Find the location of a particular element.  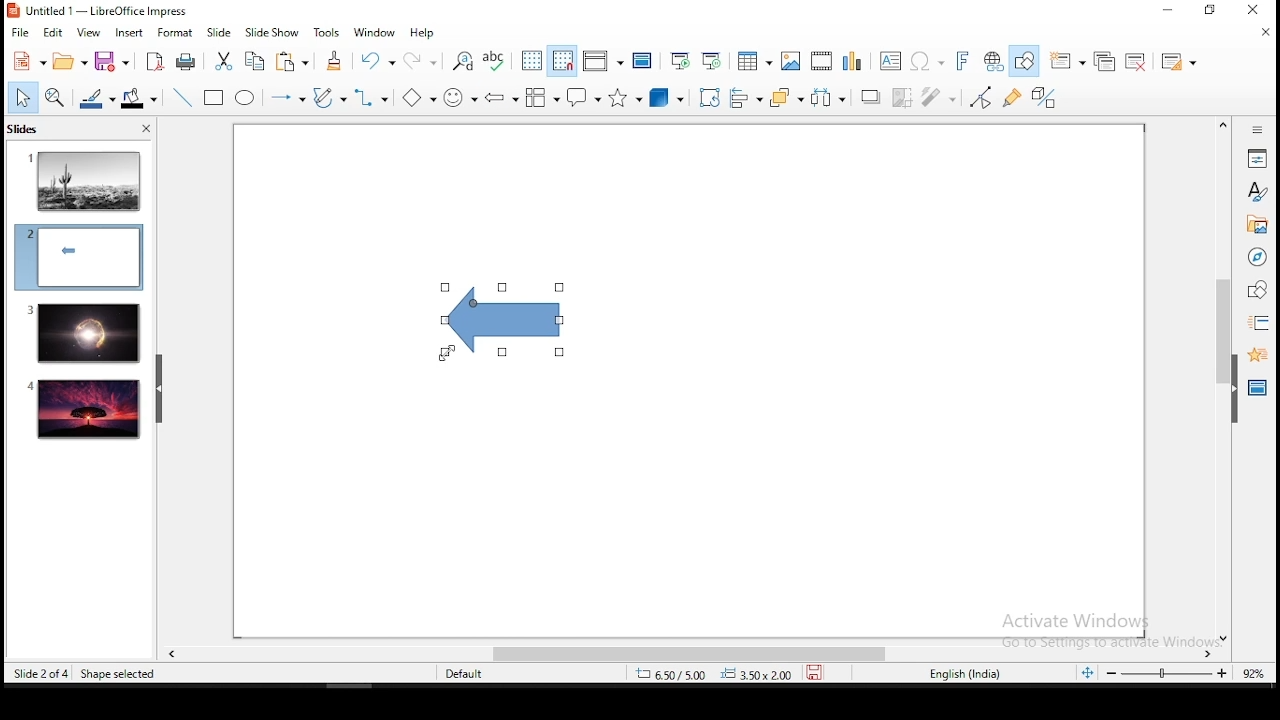

text box is located at coordinates (888, 61).